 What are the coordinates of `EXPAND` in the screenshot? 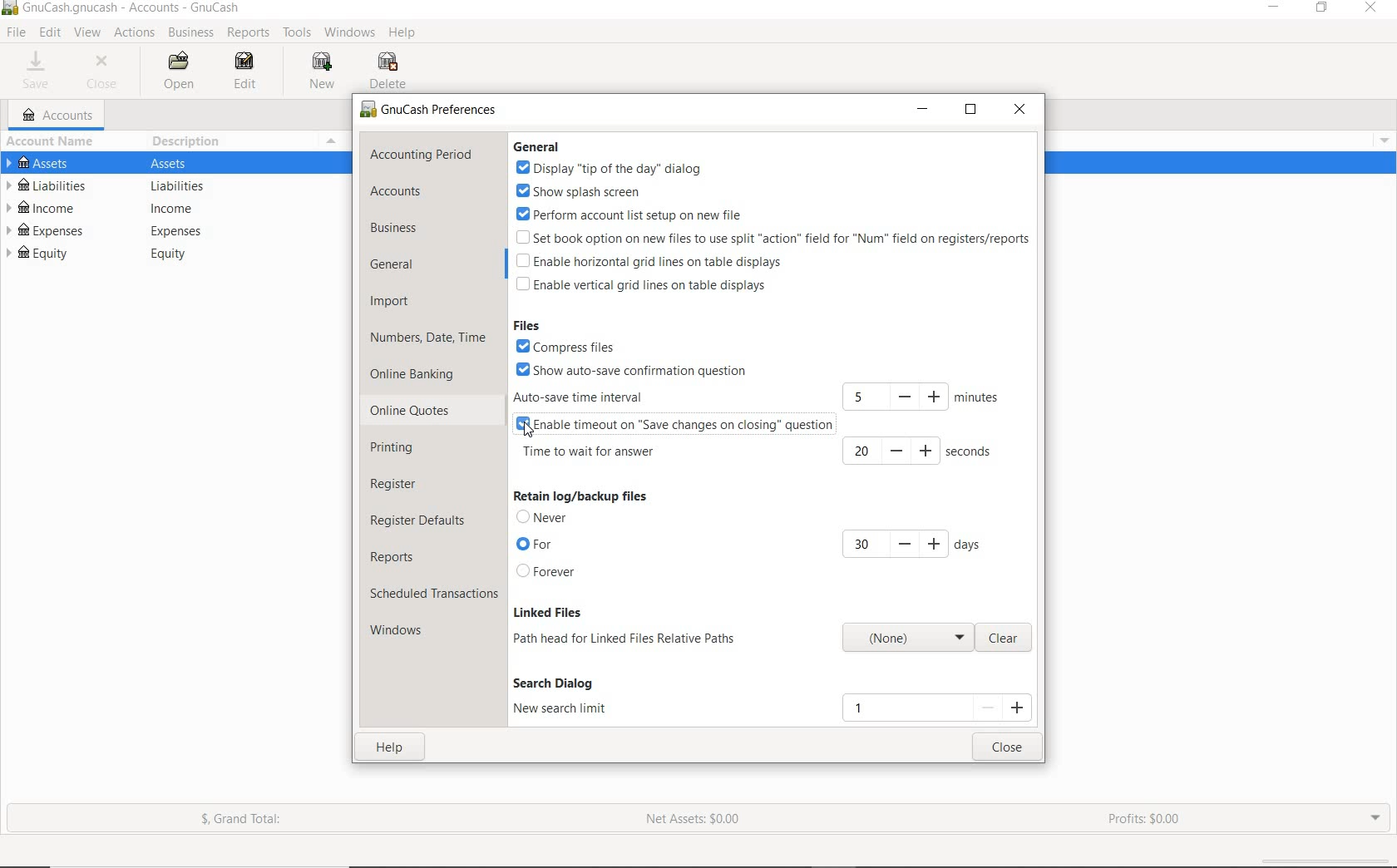 It's located at (1376, 820).